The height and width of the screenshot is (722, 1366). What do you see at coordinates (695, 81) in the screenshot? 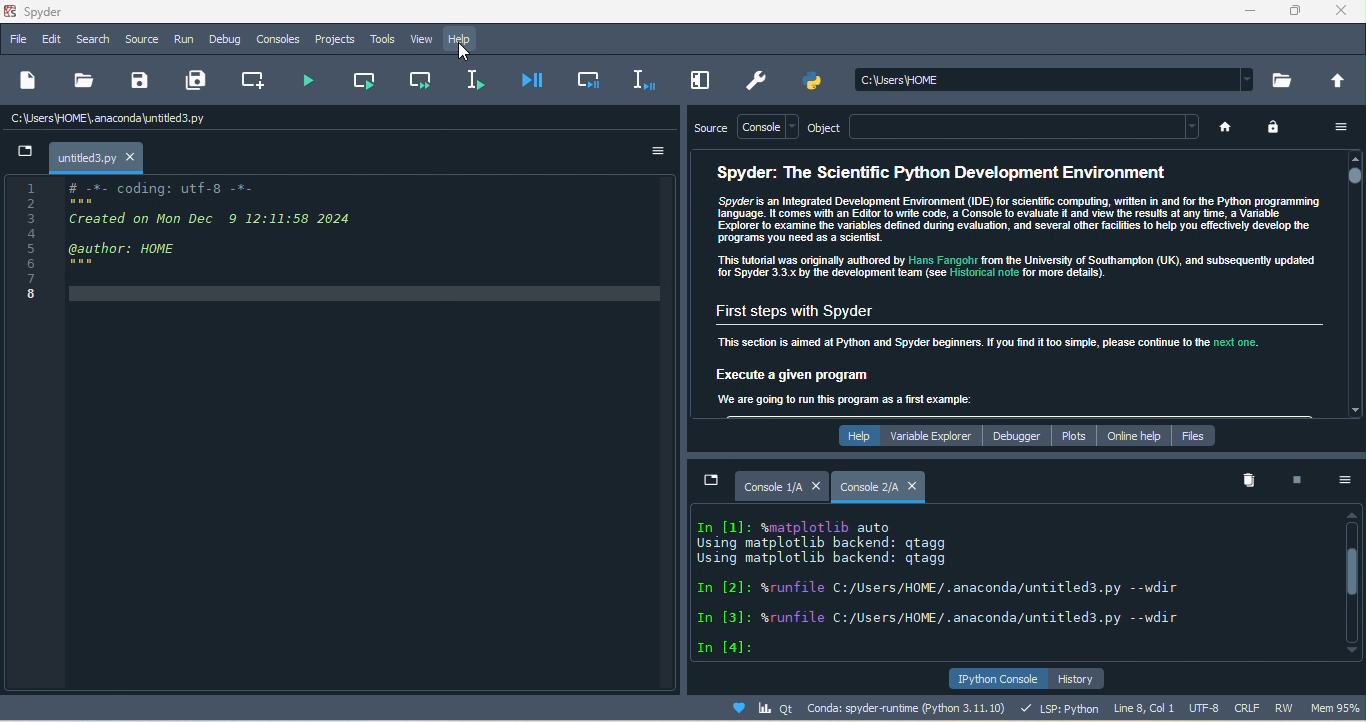
I see `maximize current pane` at bounding box center [695, 81].